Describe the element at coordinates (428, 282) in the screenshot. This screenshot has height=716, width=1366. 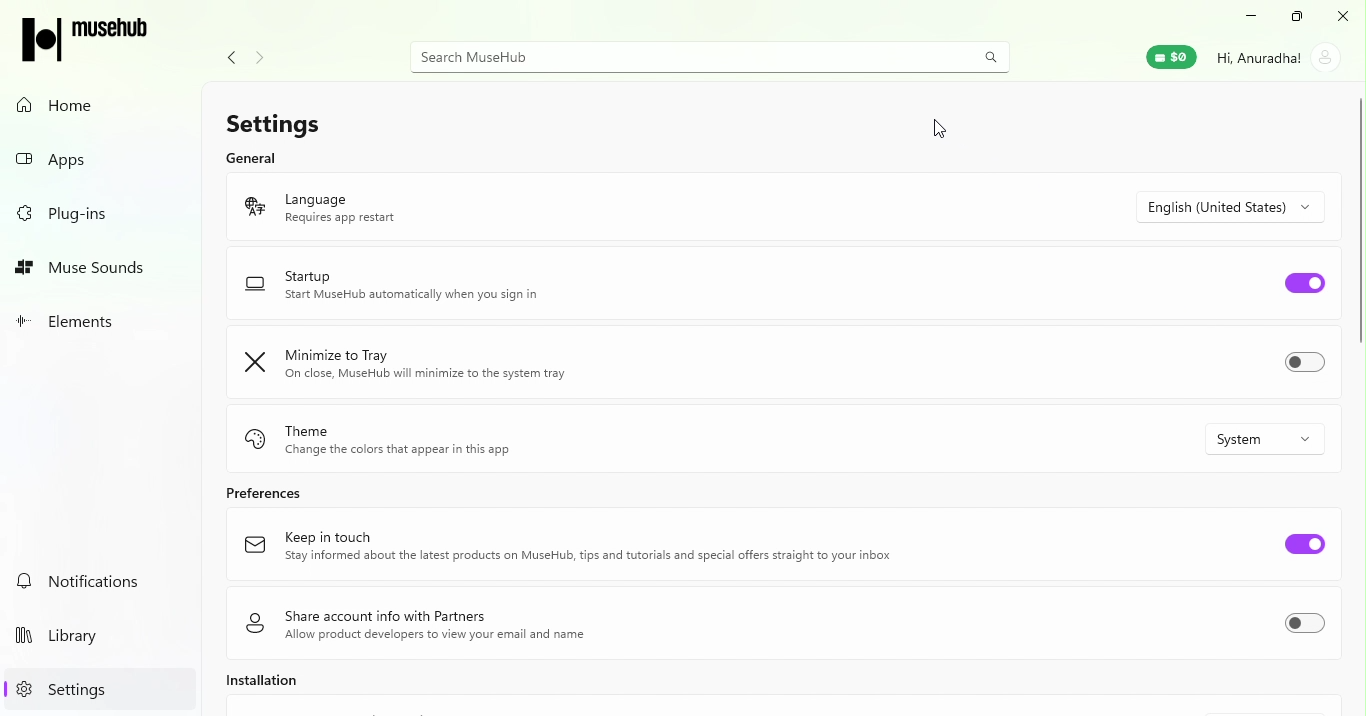
I see `Start up` at that location.